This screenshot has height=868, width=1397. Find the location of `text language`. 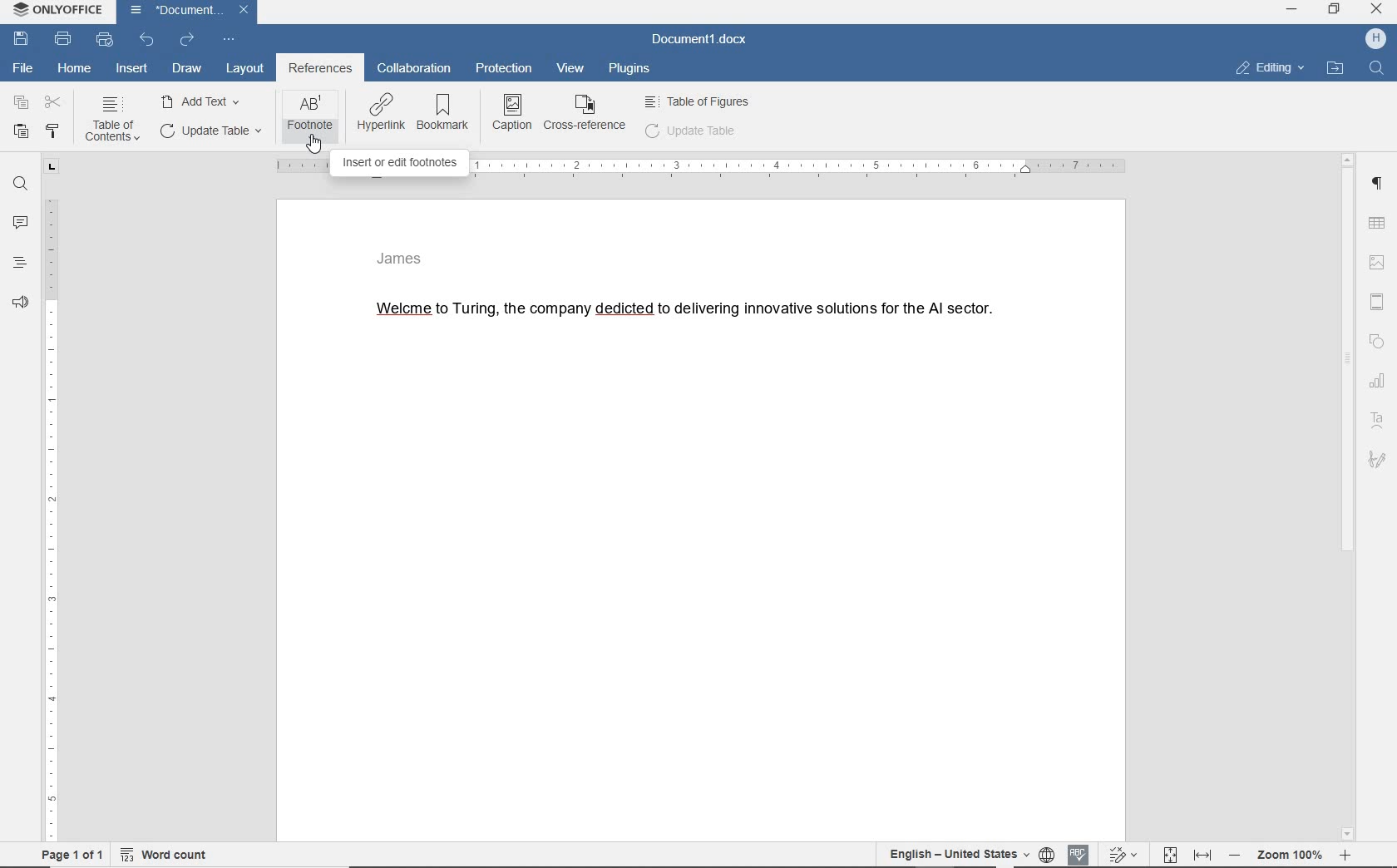

text language is located at coordinates (952, 853).